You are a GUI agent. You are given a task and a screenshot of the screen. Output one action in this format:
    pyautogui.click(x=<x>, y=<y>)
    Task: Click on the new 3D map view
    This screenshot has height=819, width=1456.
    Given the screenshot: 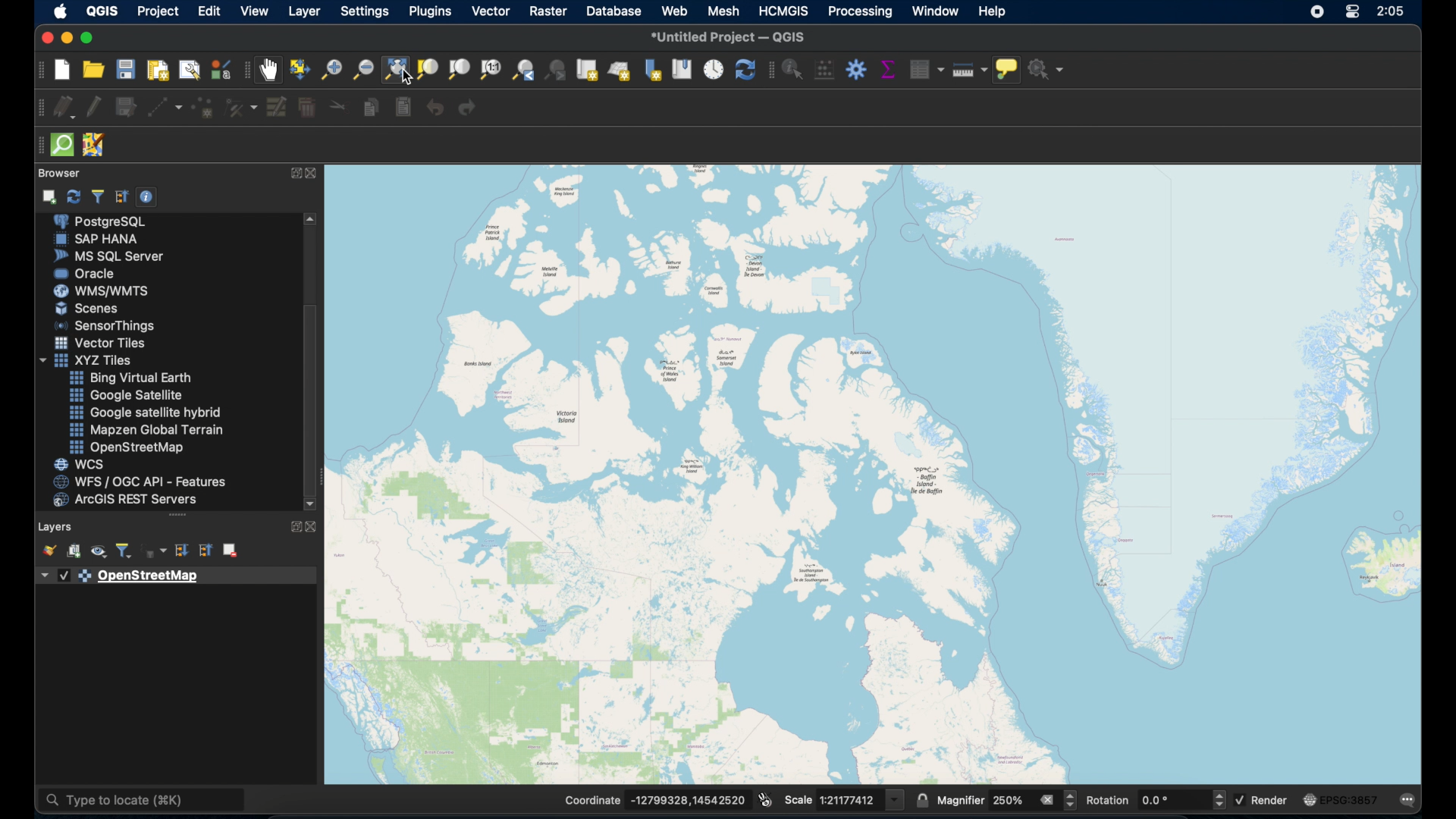 What is the action you would take?
    pyautogui.click(x=620, y=71)
    